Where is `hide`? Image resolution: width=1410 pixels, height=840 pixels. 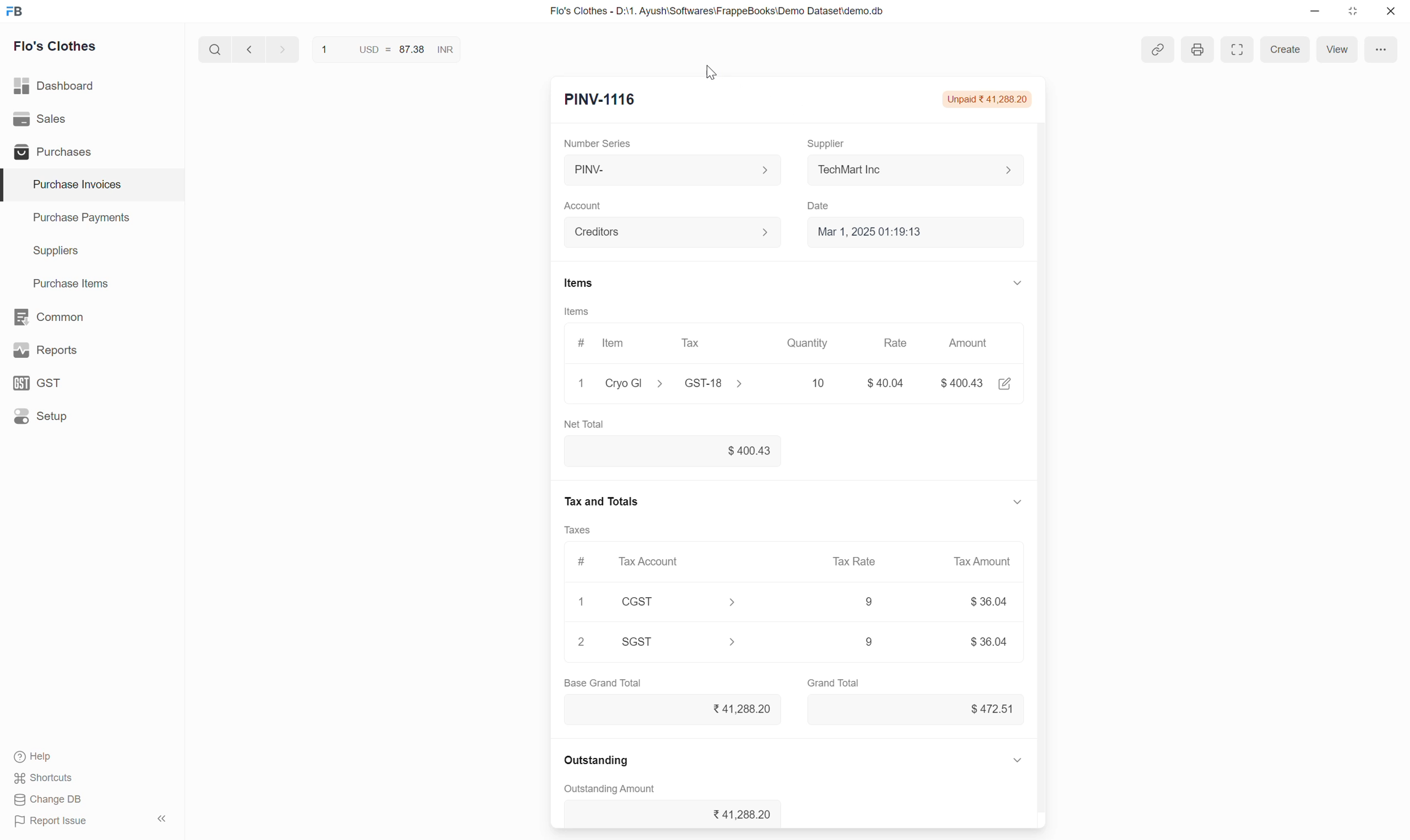
hide is located at coordinates (160, 817).